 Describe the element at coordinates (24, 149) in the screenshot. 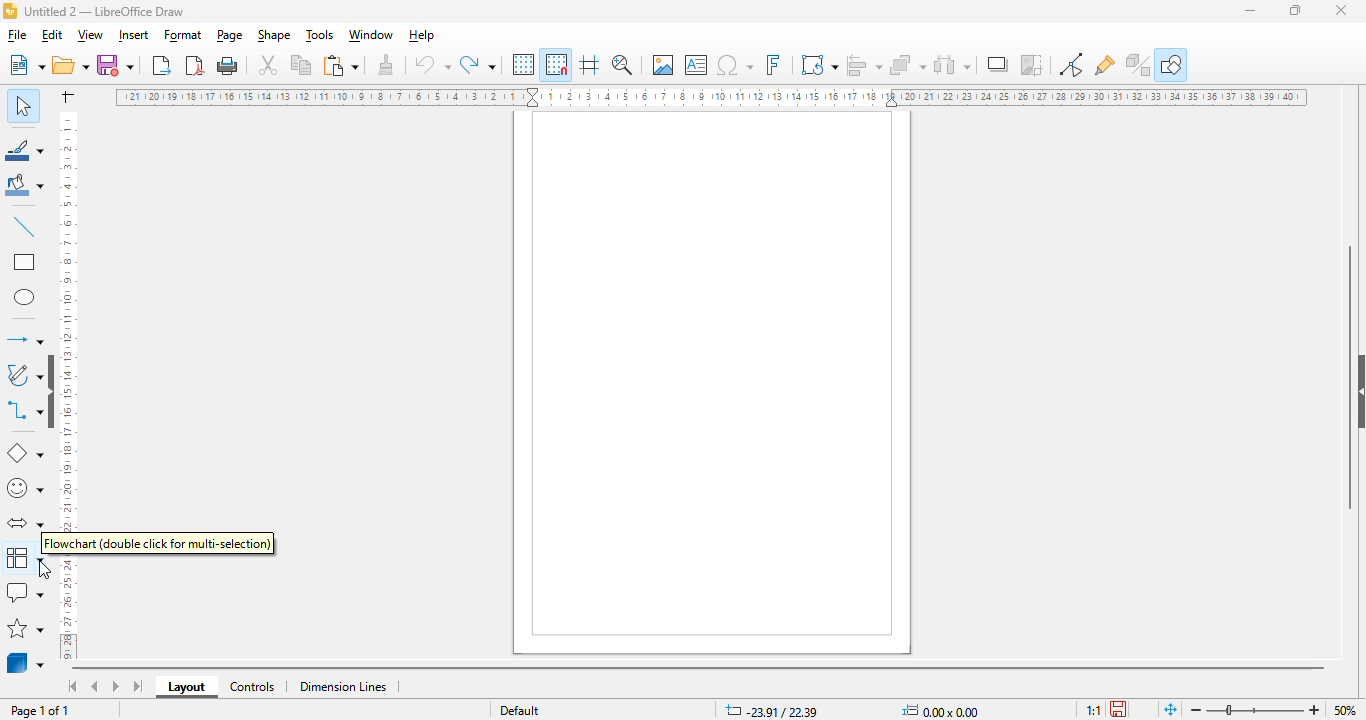

I see `line color` at that location.